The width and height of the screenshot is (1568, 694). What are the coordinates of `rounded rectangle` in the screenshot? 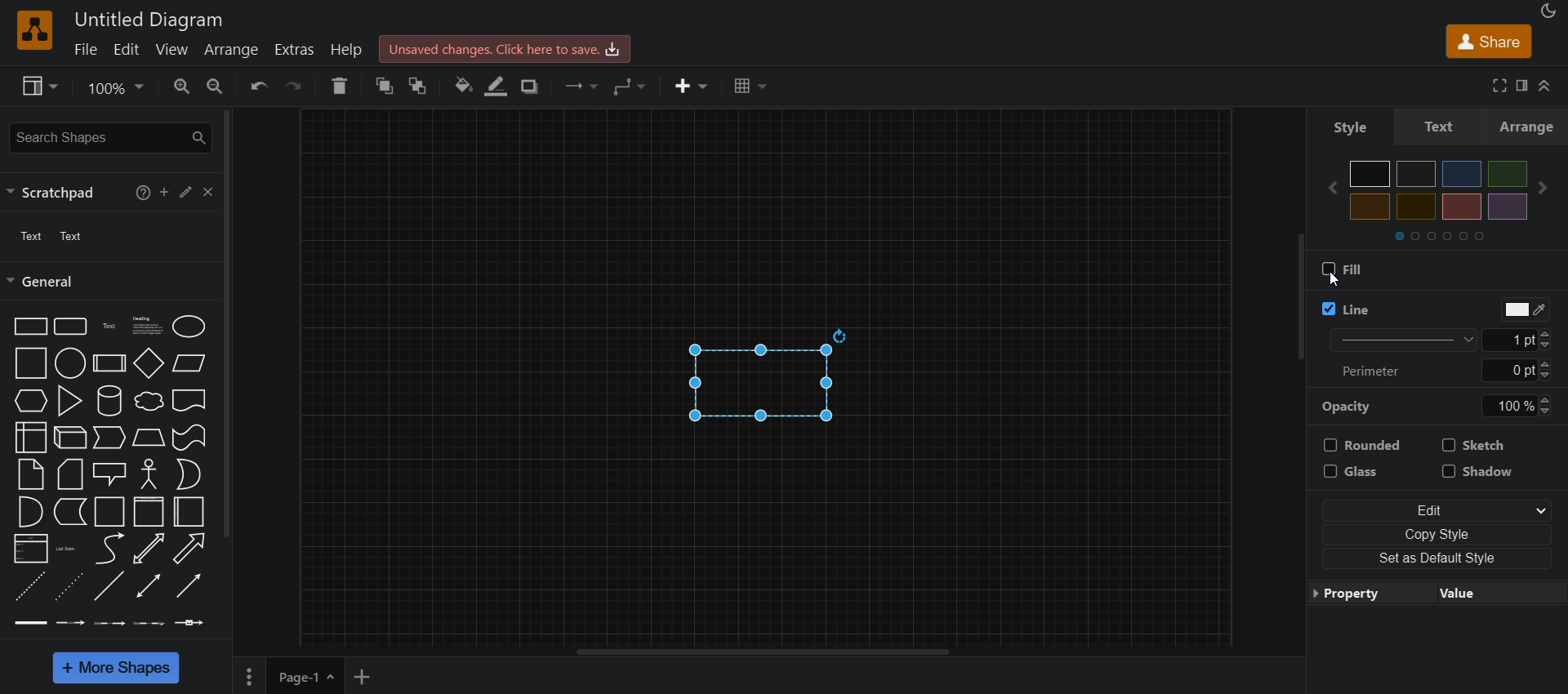 It's located at (69, 325).